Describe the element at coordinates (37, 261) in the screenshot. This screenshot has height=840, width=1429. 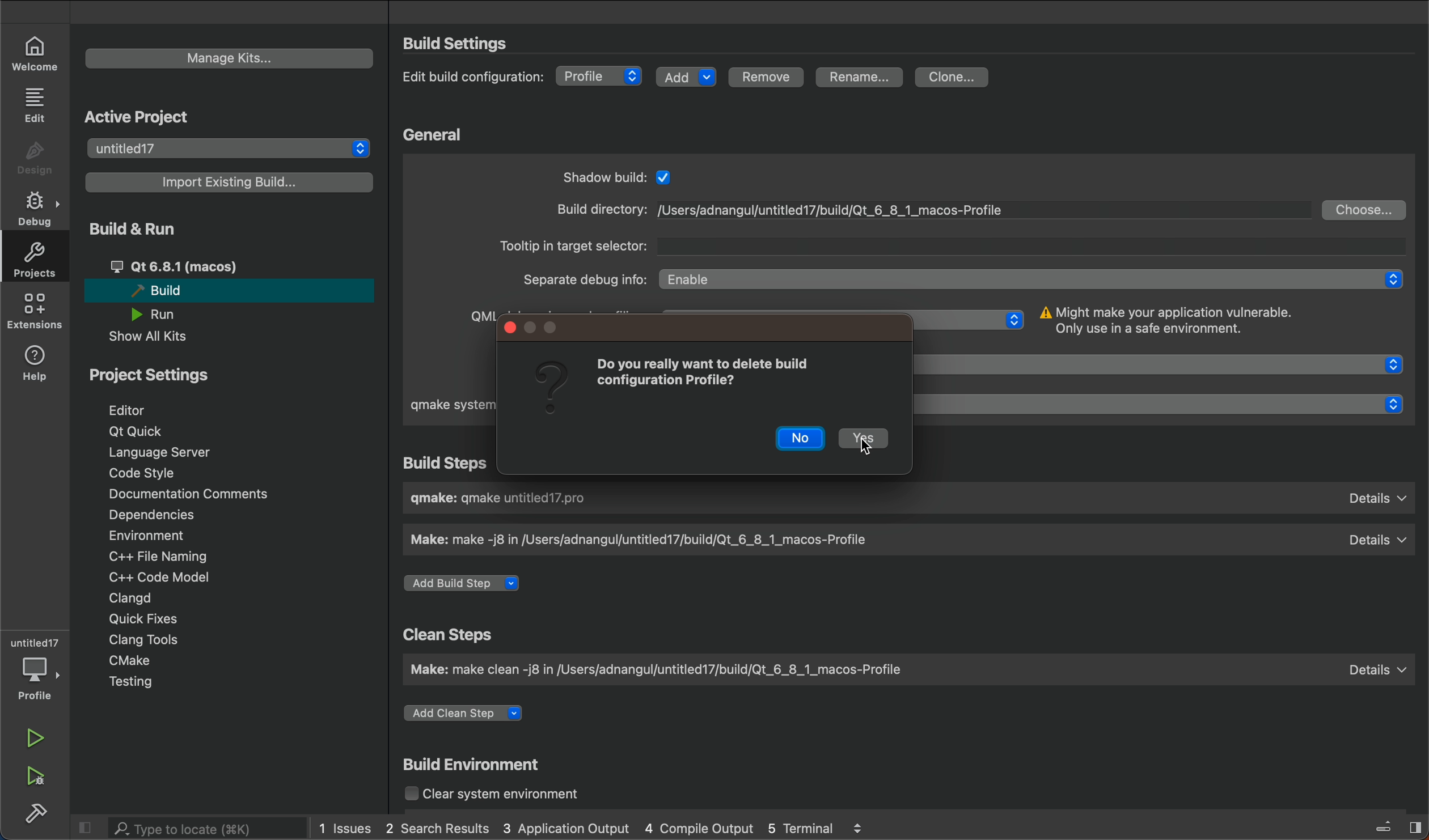
I see `projects` at that location.